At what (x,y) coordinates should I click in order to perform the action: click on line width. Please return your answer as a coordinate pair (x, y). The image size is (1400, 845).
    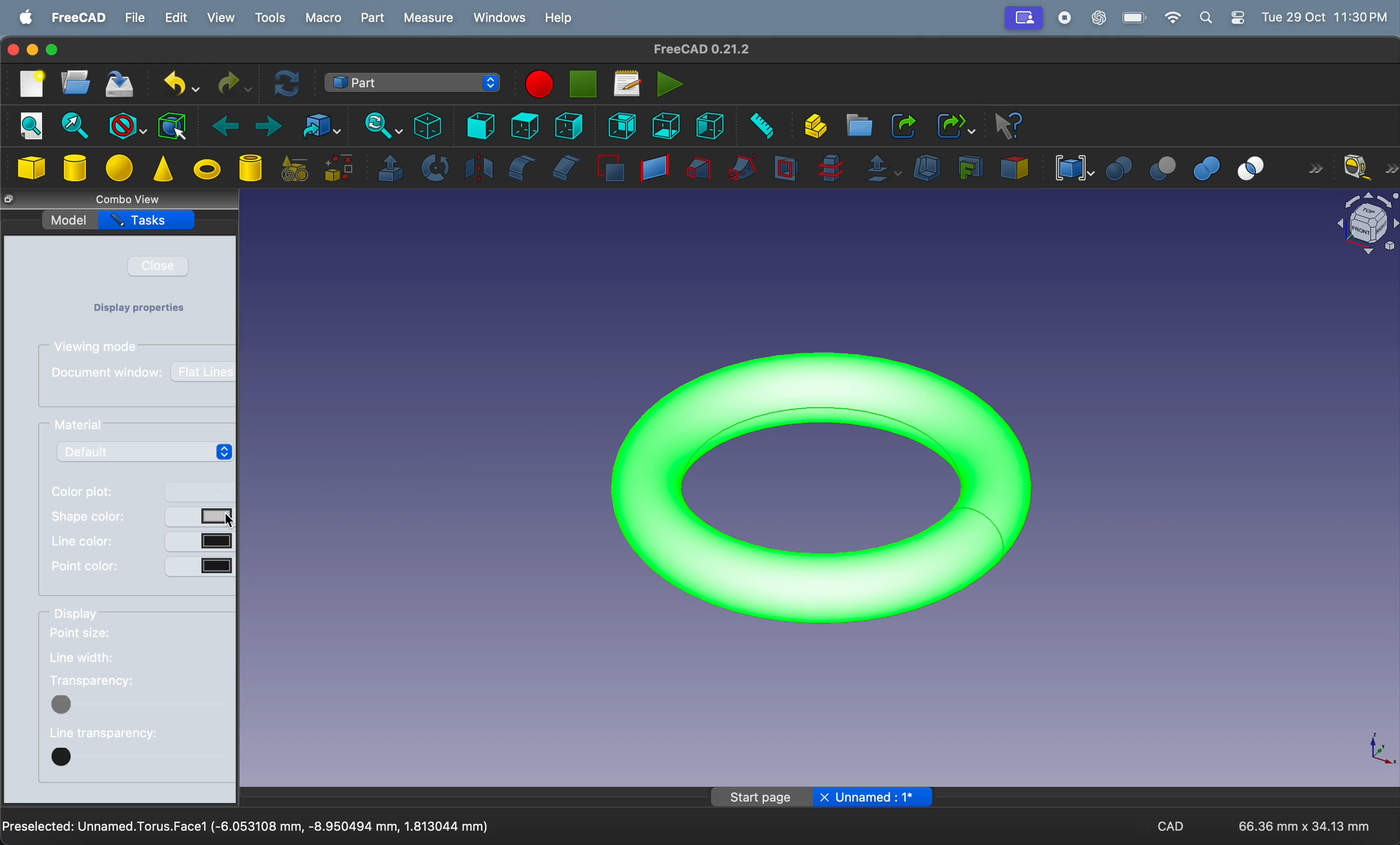
    Looking at the image, I should click on (107, 658).